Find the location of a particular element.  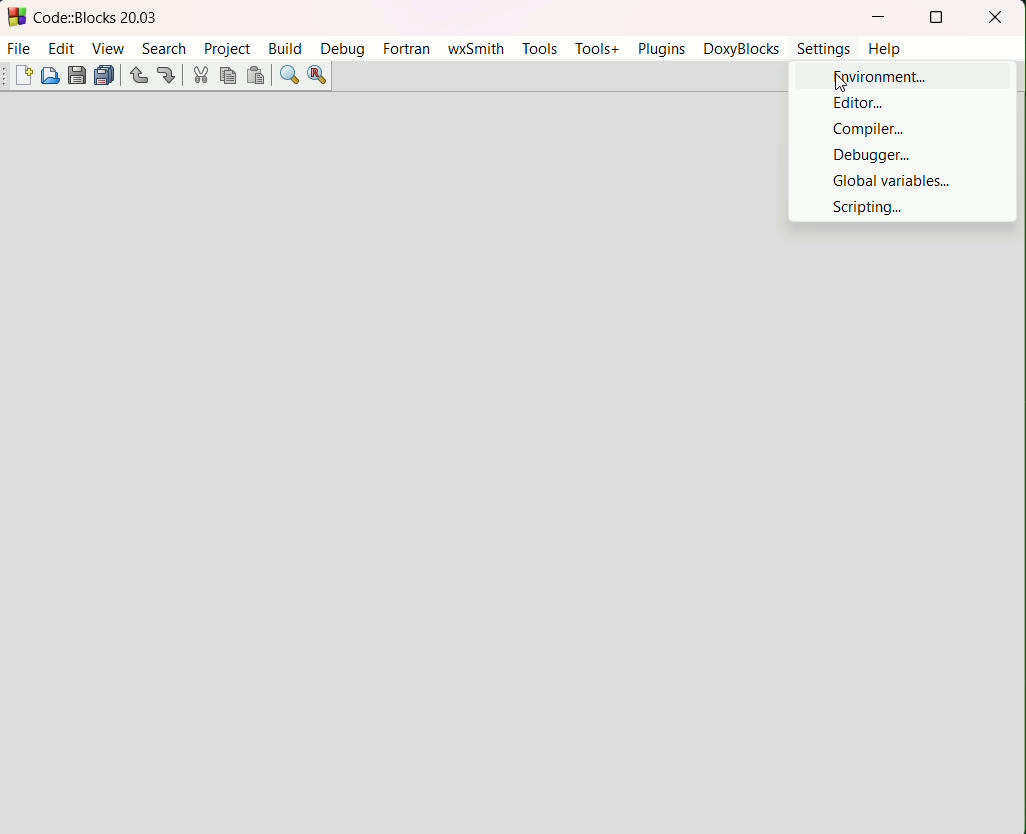

Cursor is located at coordinates (841, 82).